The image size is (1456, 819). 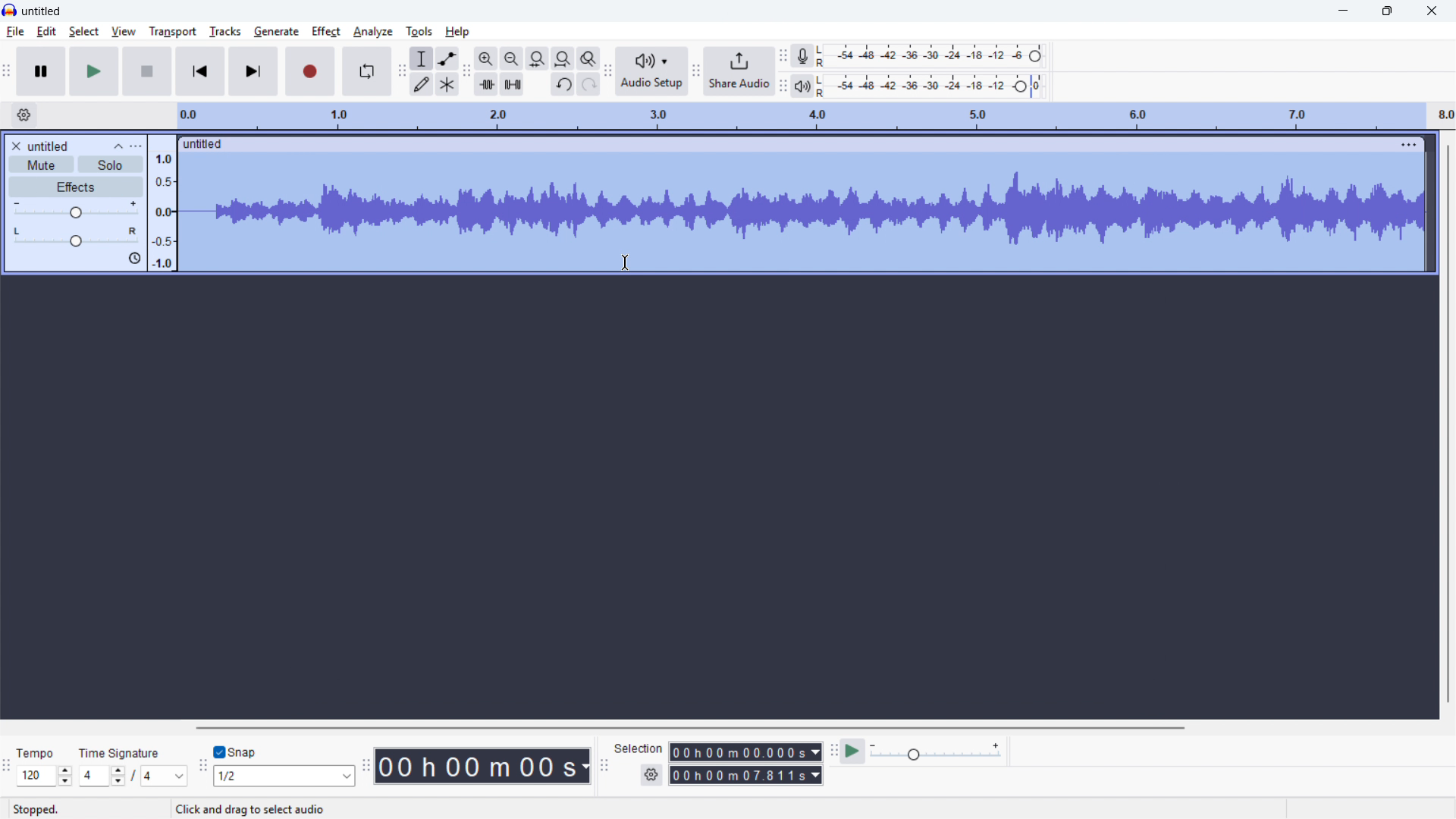 What do you see at coordinates (111, 165) in the screenshot?
I see `solo` at bounding box center [111, 165].